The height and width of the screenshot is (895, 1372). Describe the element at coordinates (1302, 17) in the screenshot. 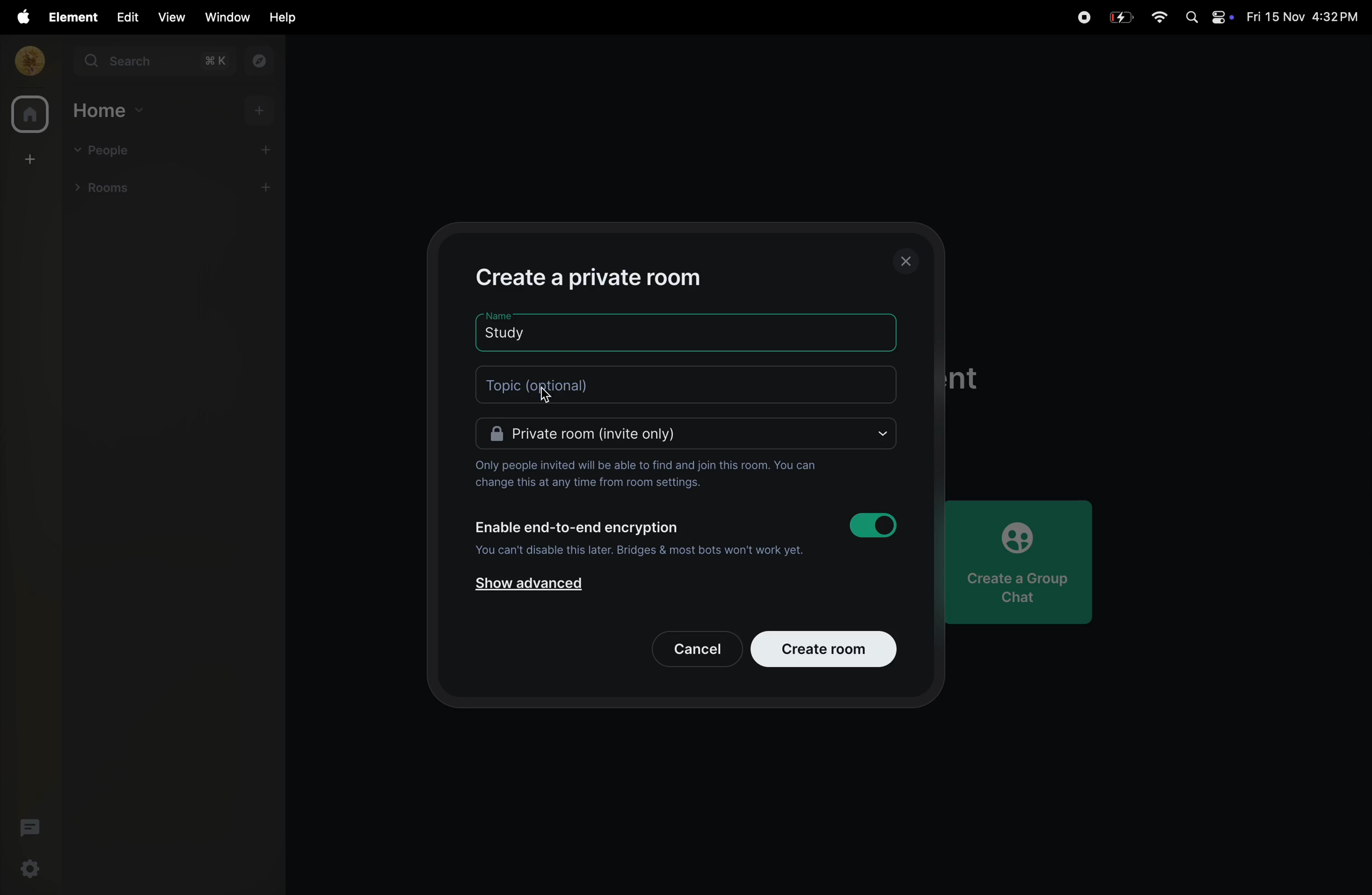

I see `date and time` at that location.